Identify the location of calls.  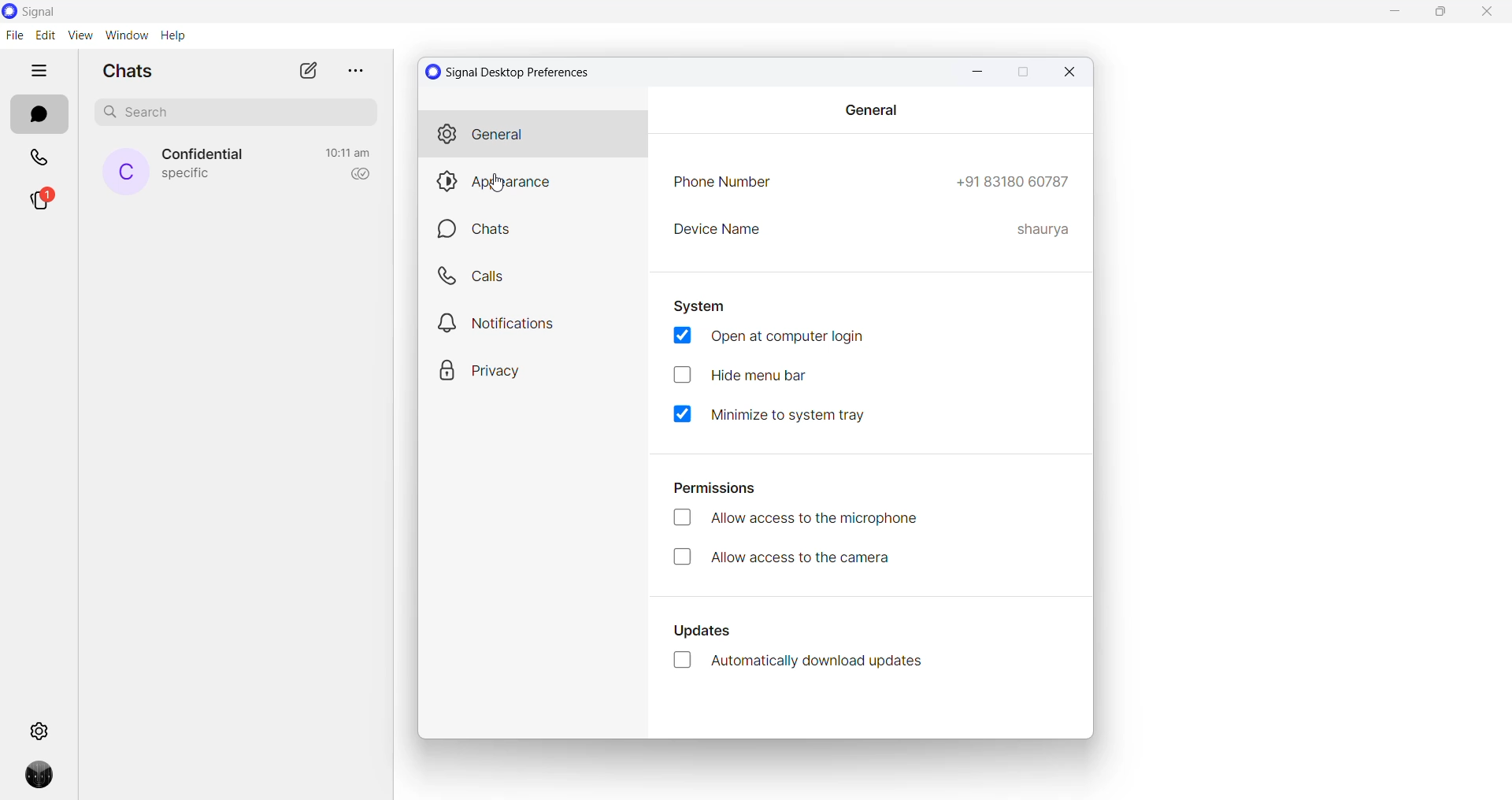
(41, 160).